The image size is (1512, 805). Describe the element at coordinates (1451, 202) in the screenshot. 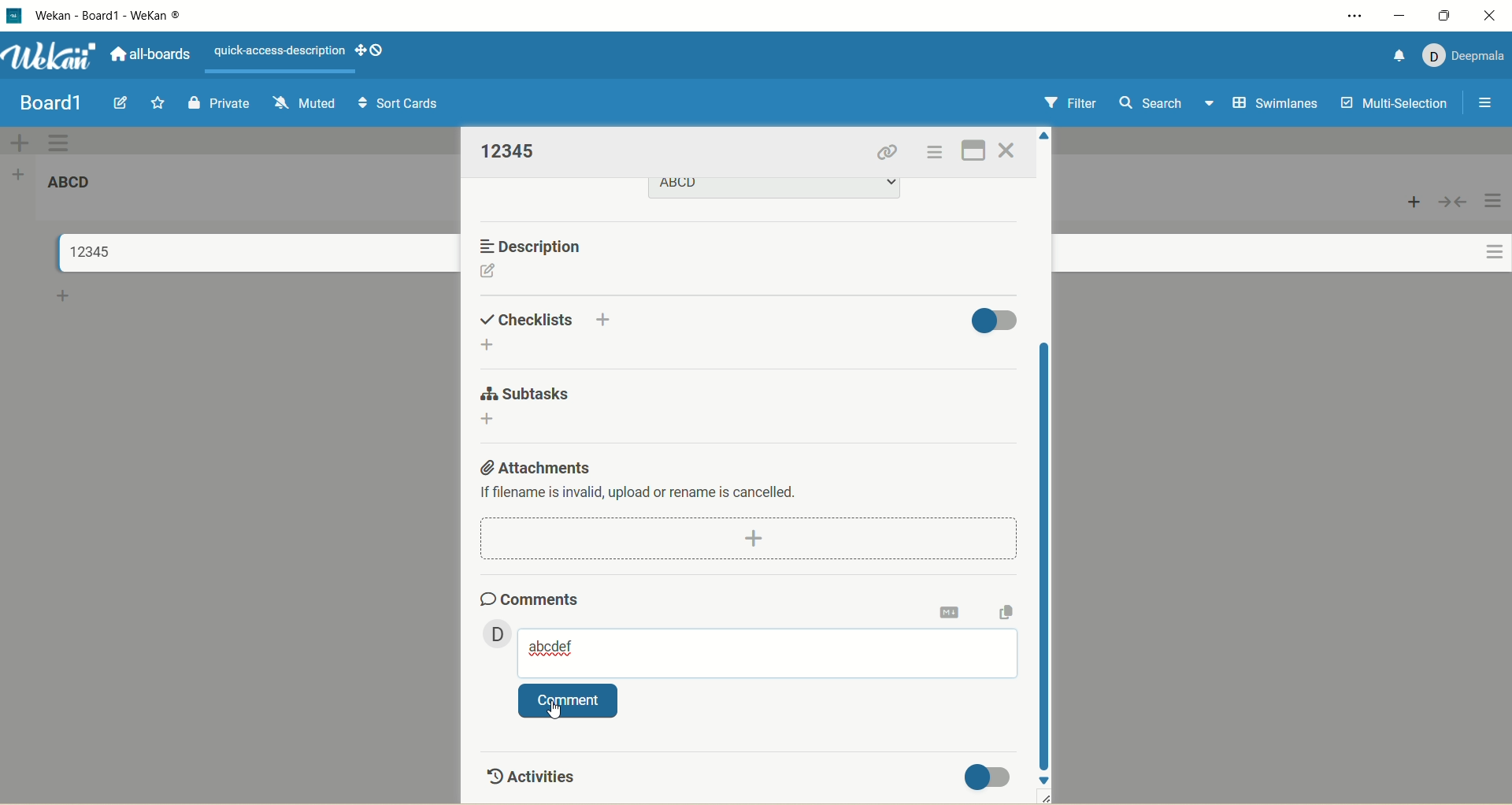

I see `collapse` at that location.